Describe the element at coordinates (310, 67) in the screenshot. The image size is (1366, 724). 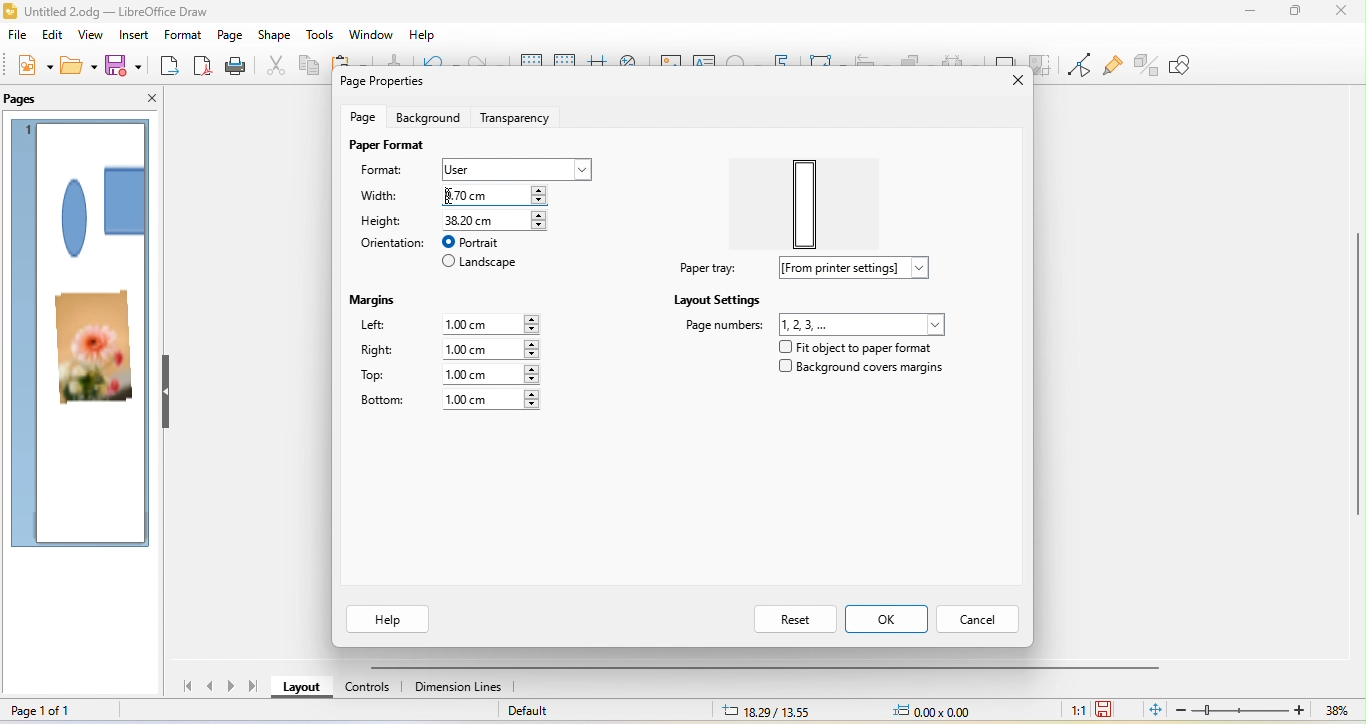
I see `copy` at that location.